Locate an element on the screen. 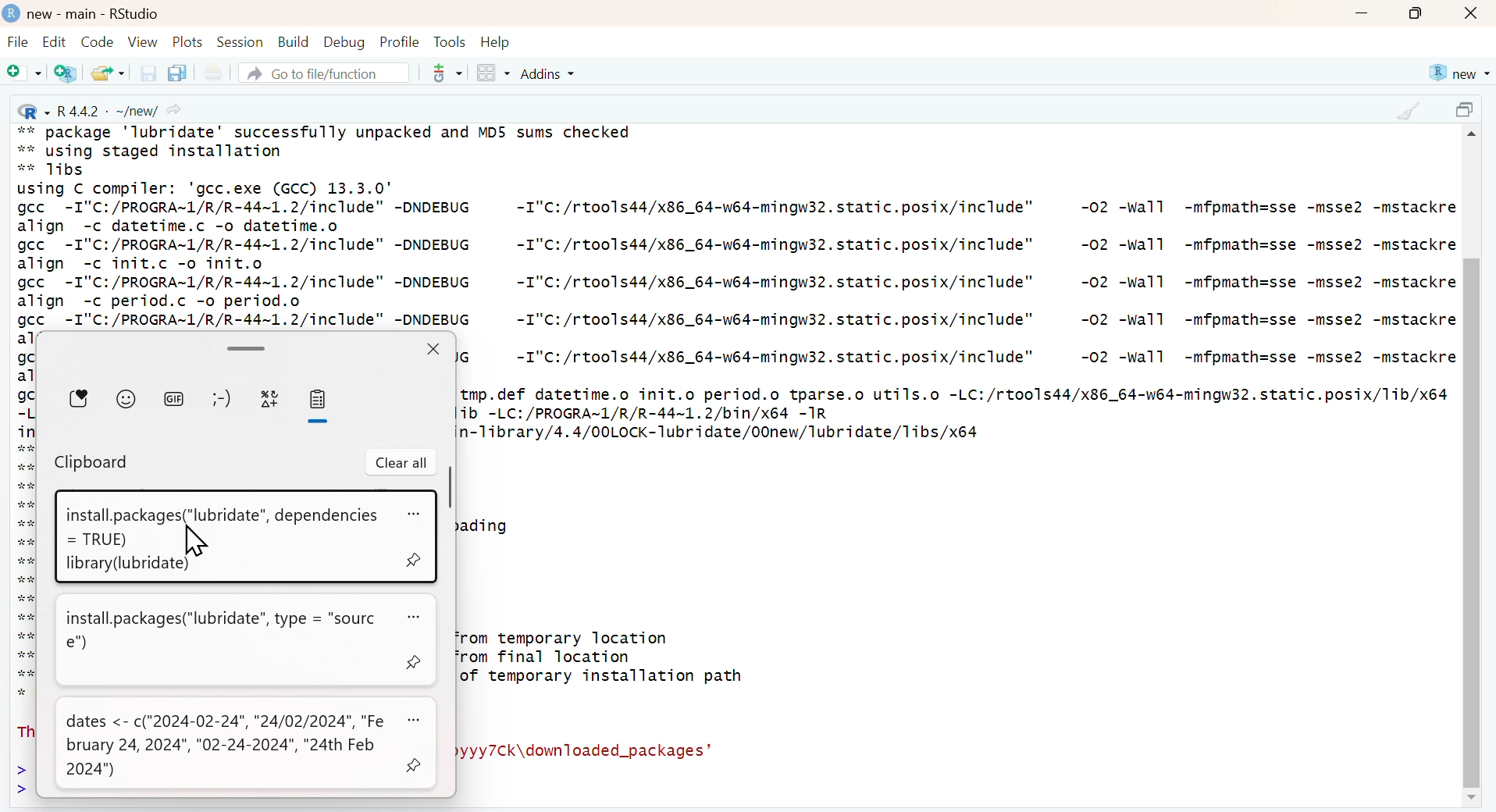 The height and width of the screenshot is (812, 1496). new is located at coordinates (1458, 73).